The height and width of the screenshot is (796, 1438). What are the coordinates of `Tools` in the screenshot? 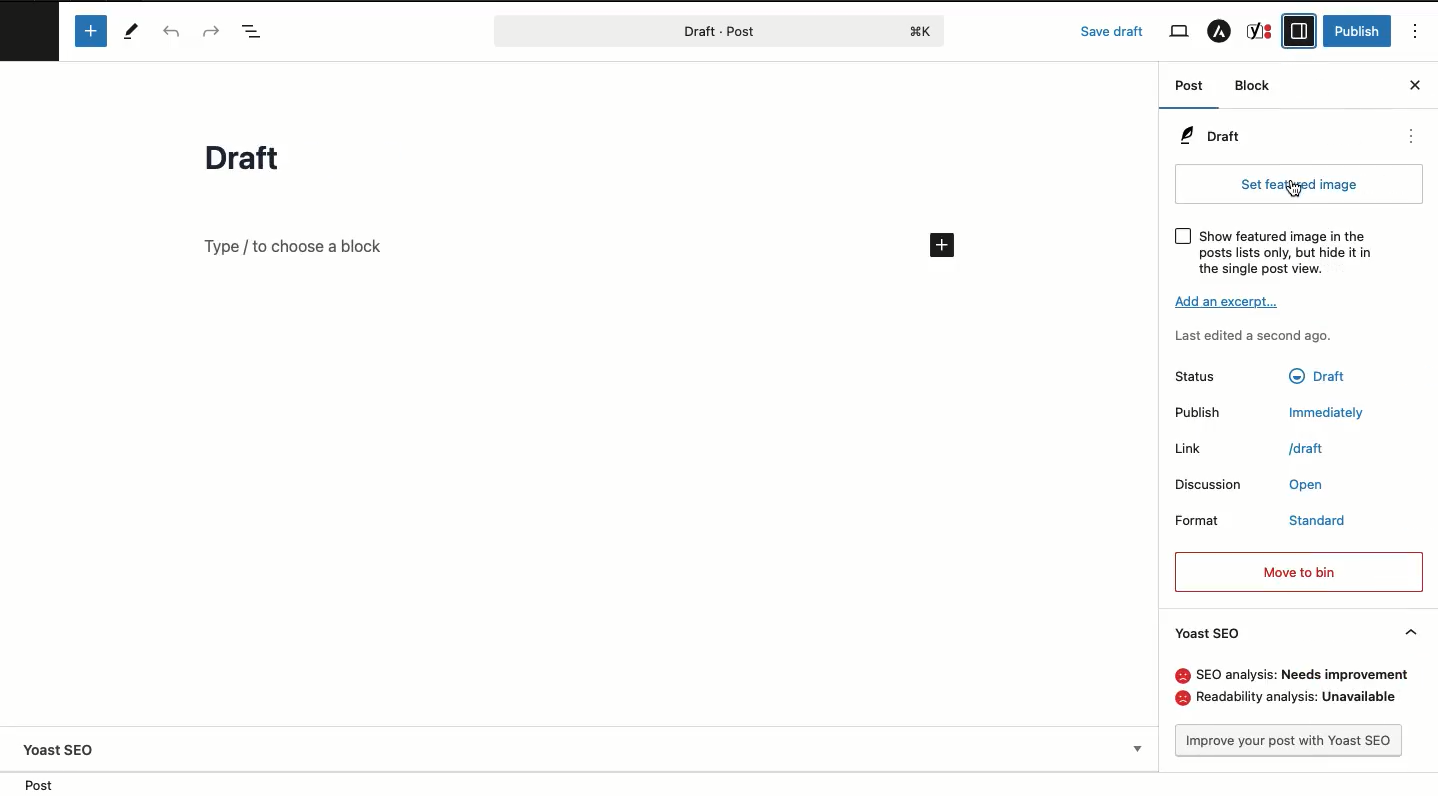 It's located at (129, 30).